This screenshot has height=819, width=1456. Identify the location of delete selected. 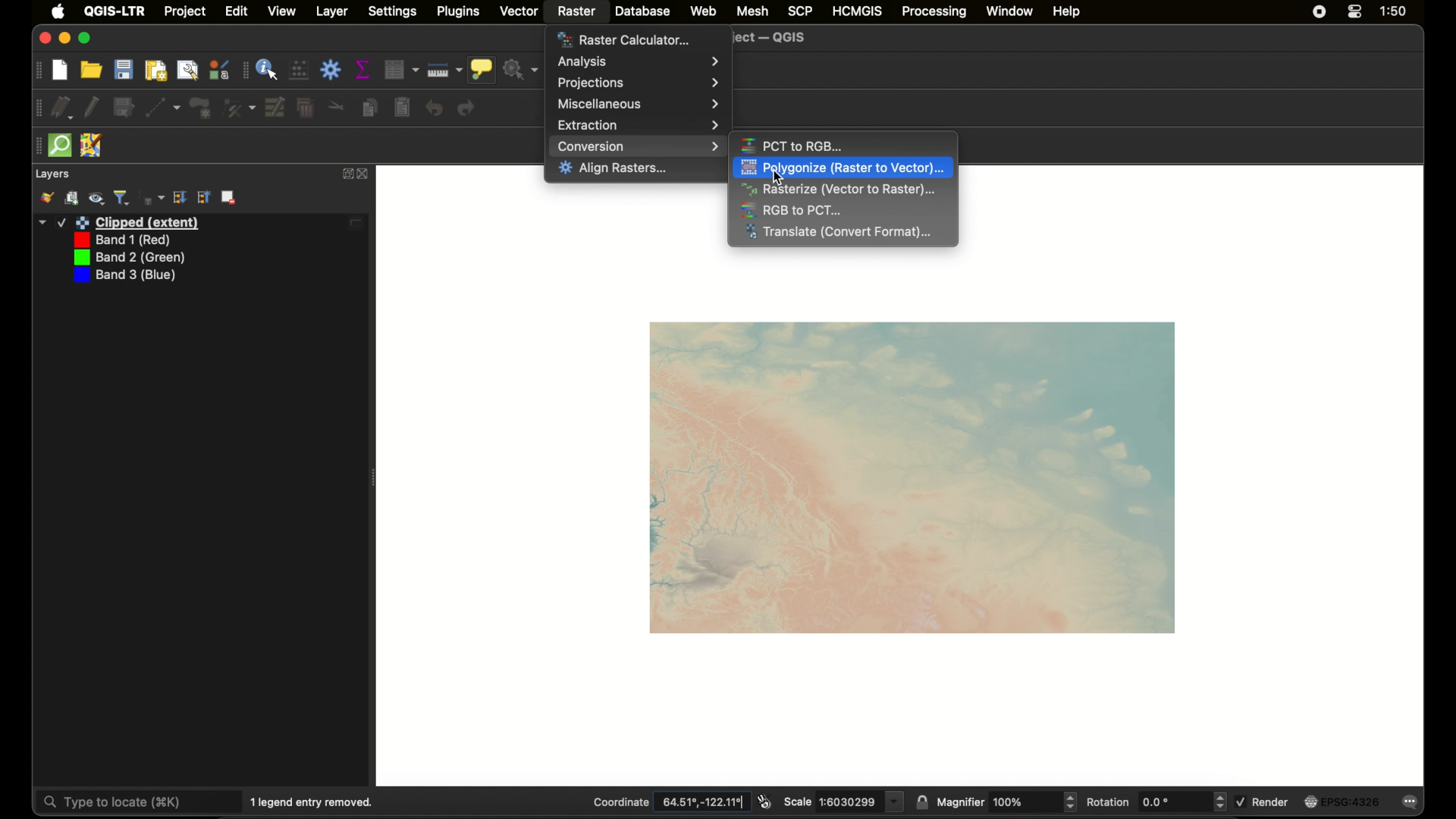
(306, 108).